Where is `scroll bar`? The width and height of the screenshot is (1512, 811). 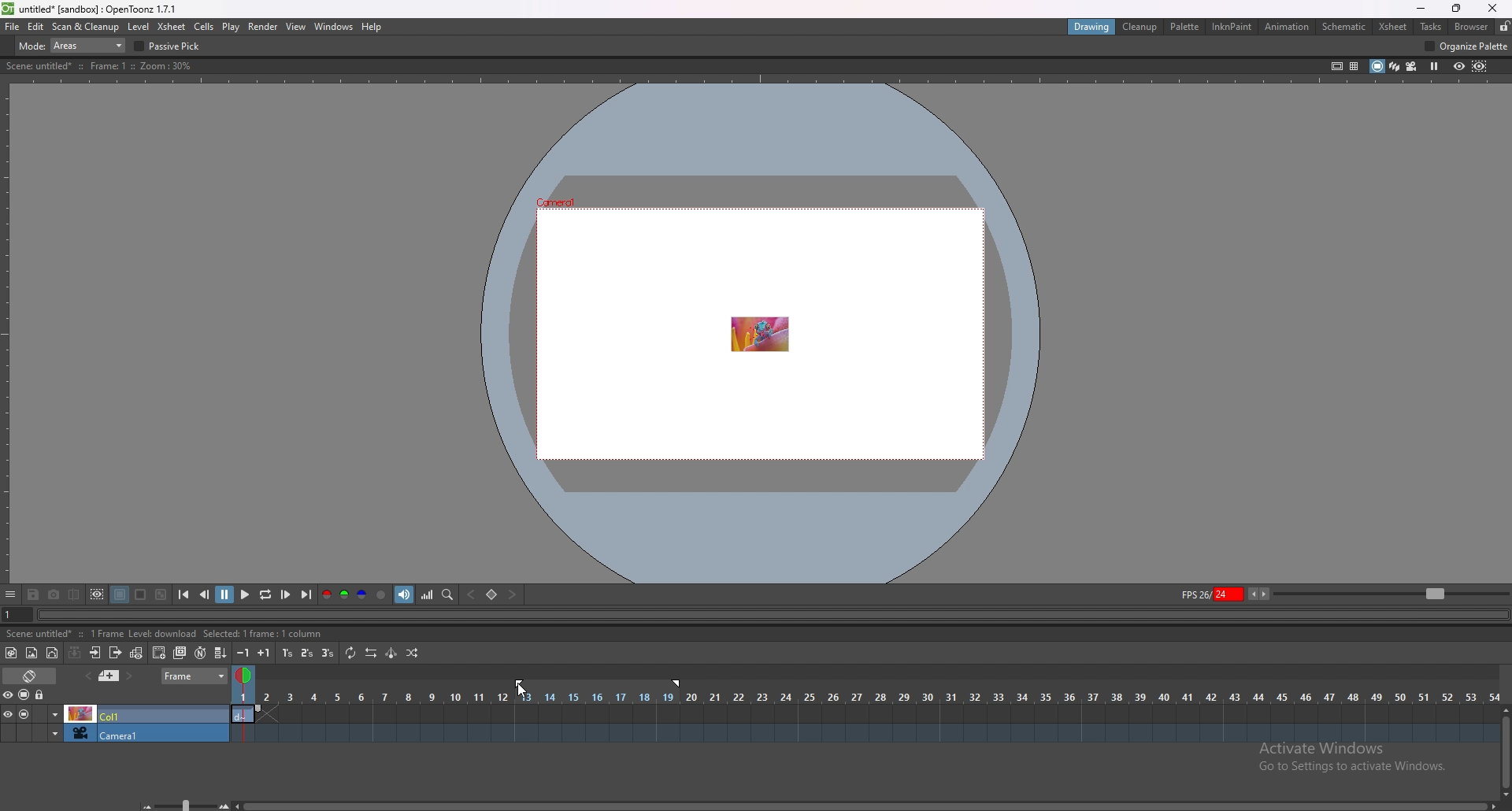 scroll bar is located at coordinates (865, 805).